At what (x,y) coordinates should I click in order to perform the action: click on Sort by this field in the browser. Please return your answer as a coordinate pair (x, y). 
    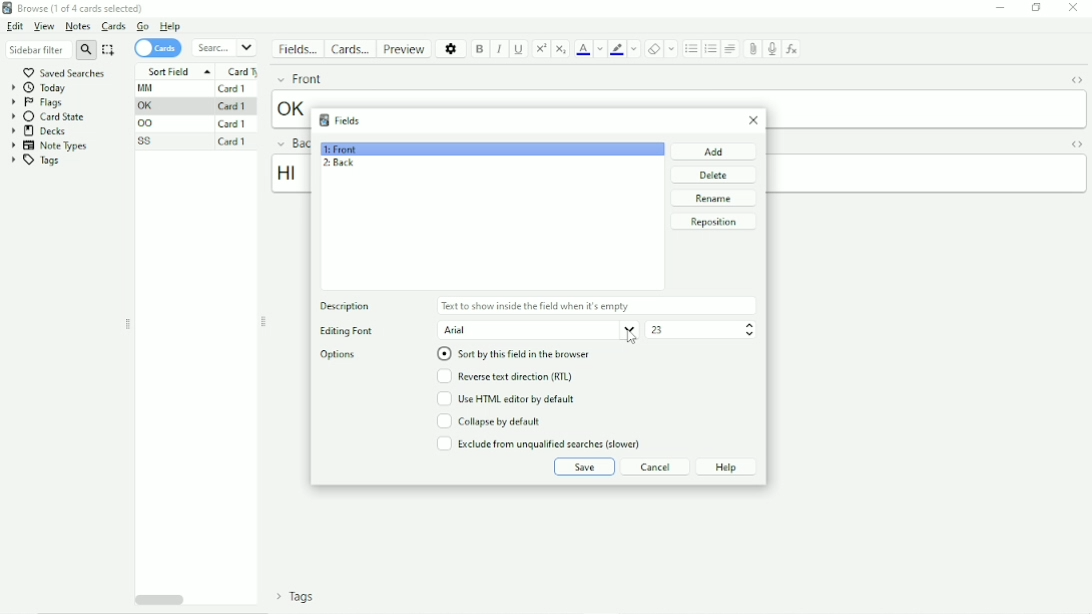
    Looking at the image, I should click on (513, 354).